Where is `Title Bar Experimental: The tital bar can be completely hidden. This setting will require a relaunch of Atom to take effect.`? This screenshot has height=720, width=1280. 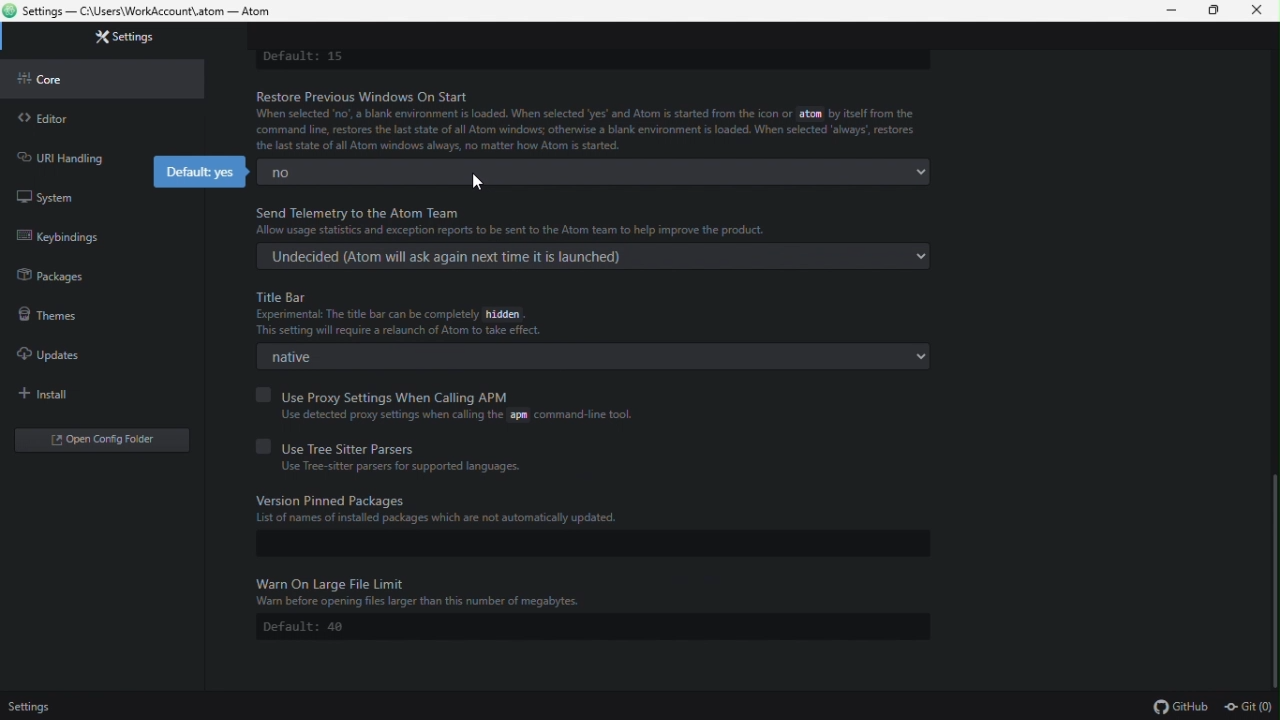
Title Bar Experimental: The tital bar can be completely hidden. This setting will require a relaunch of Atom to take effect. is located at coordinates (588, 314).